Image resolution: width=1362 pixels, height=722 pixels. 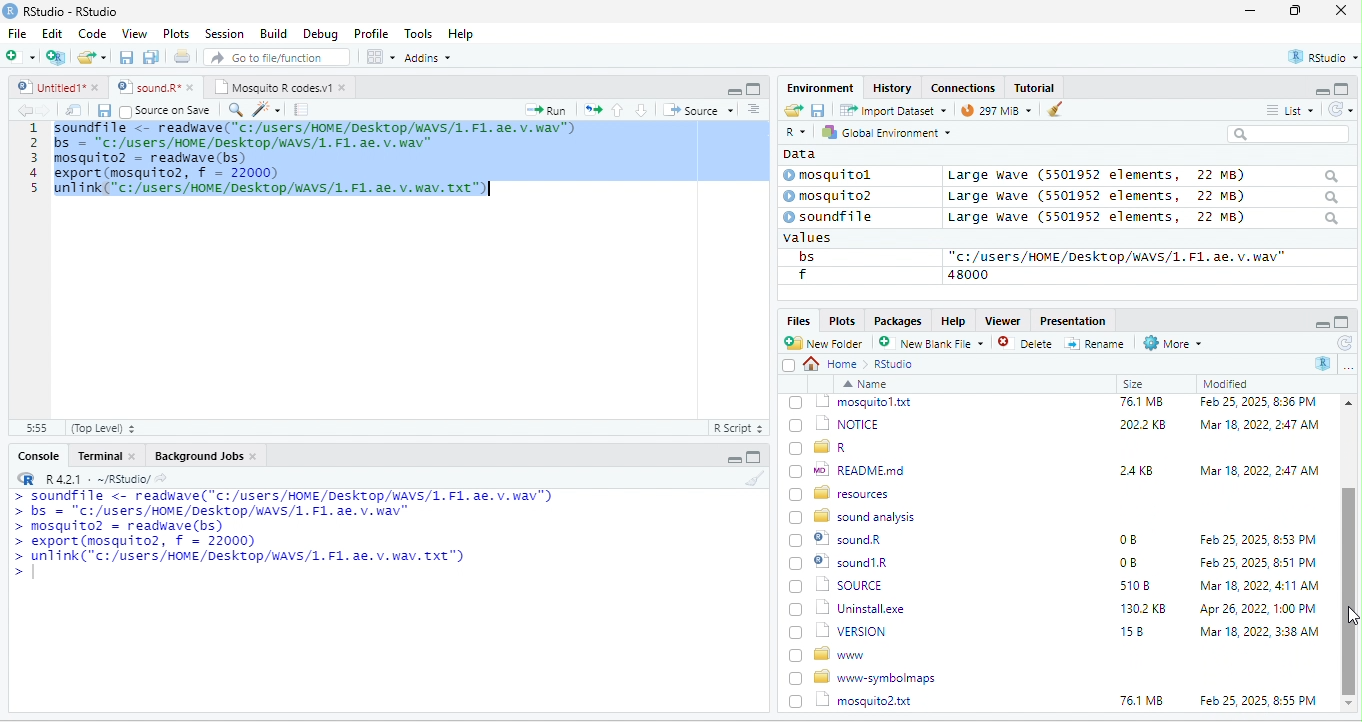 I want to click on 24KB, so click(x=1133, y=588).